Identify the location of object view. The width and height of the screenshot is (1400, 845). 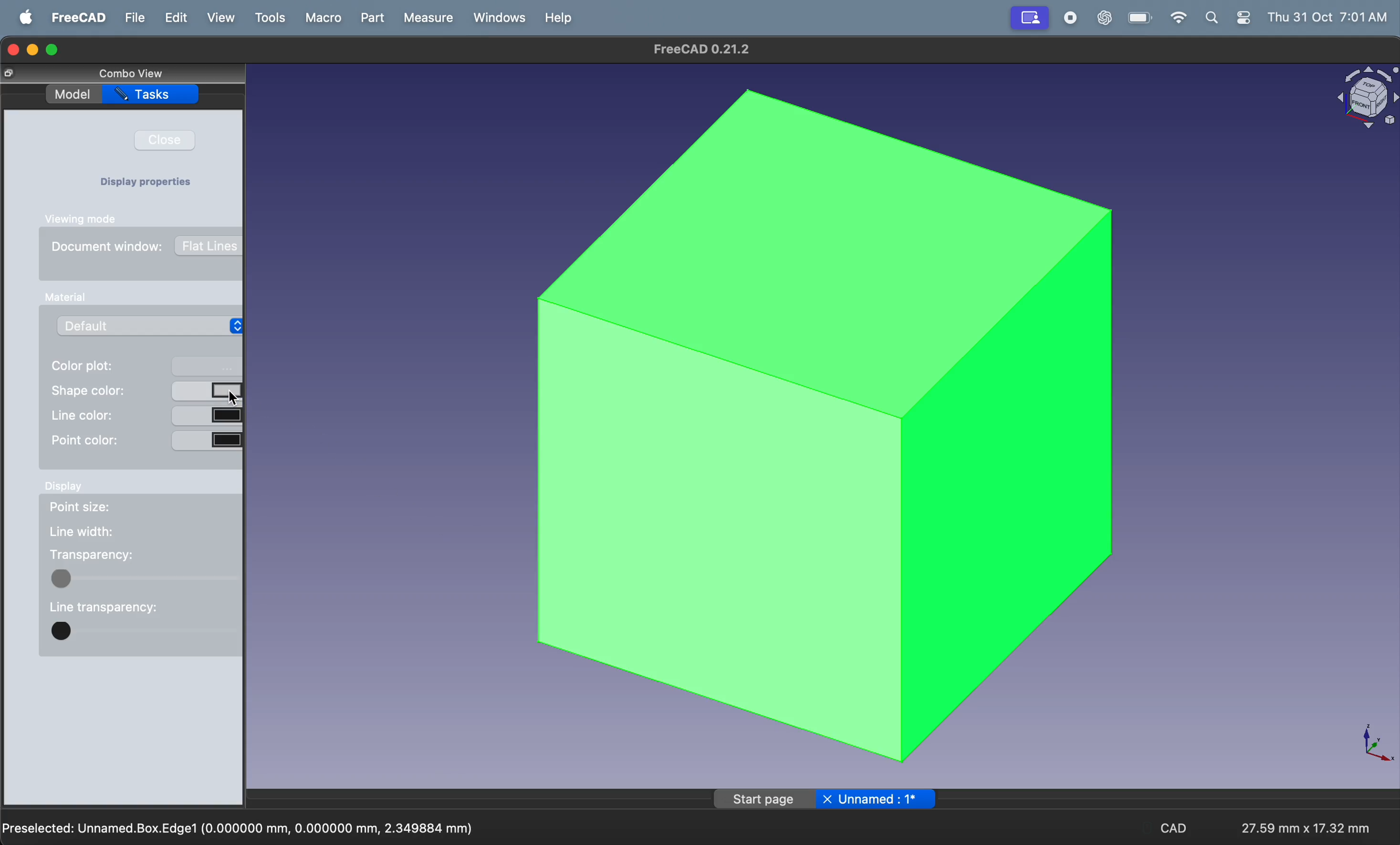
(1364, 99).